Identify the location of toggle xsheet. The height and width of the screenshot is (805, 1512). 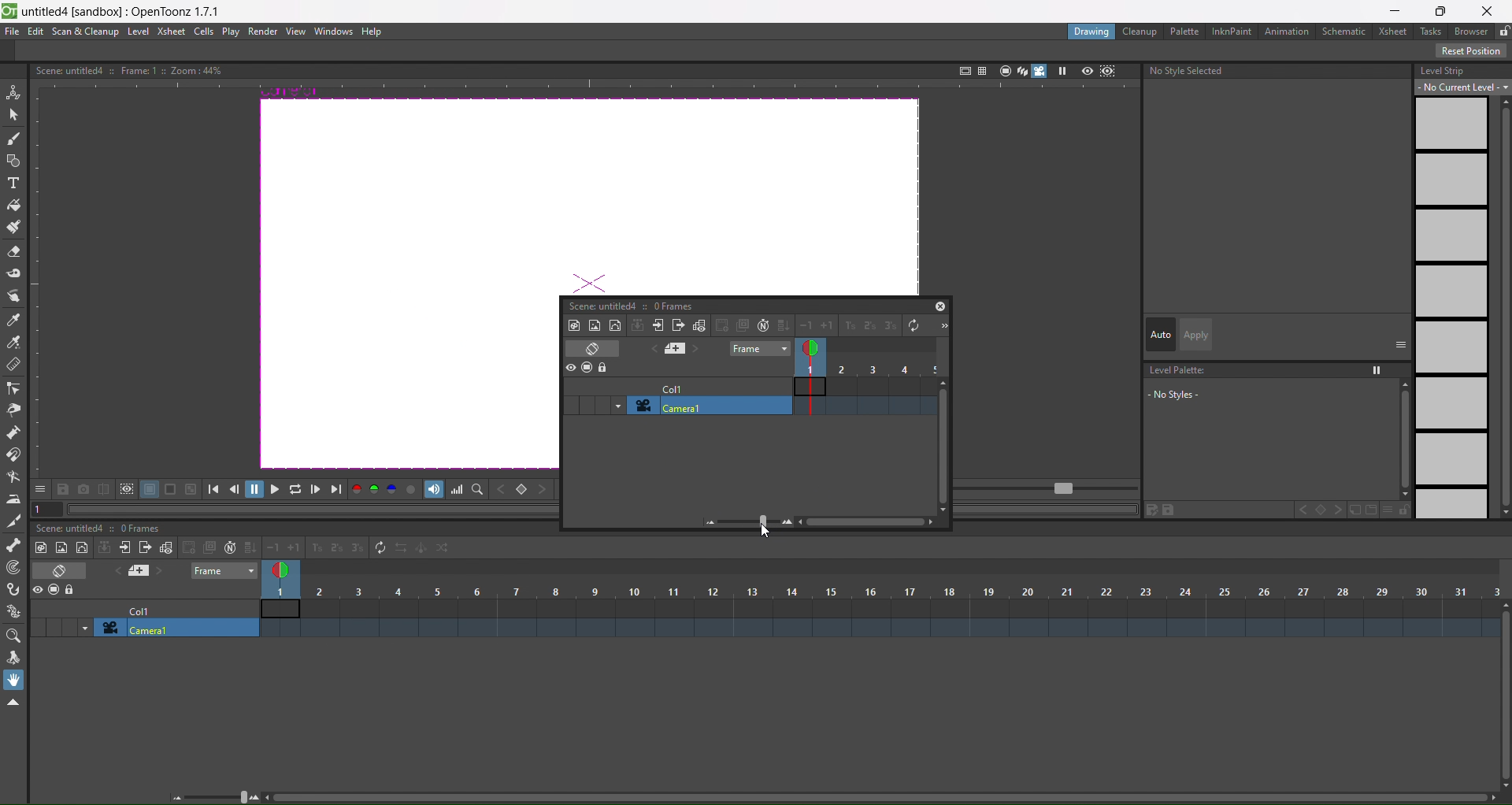
(65, 570).